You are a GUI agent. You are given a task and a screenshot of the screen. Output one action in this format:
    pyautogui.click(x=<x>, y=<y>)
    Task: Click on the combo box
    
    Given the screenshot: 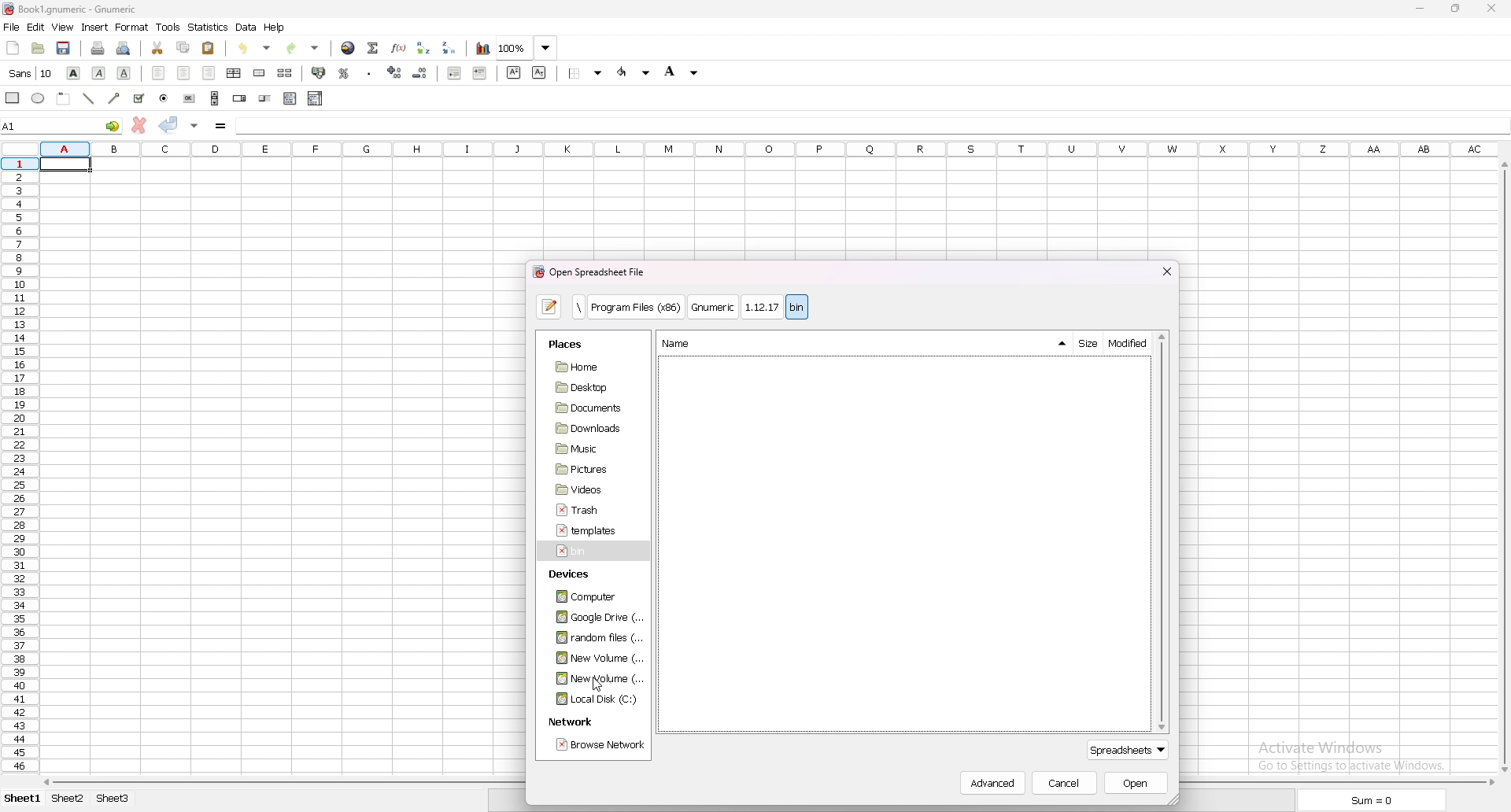 What is the action you would take?
    pyautogui.click(x=316, y=98)
    